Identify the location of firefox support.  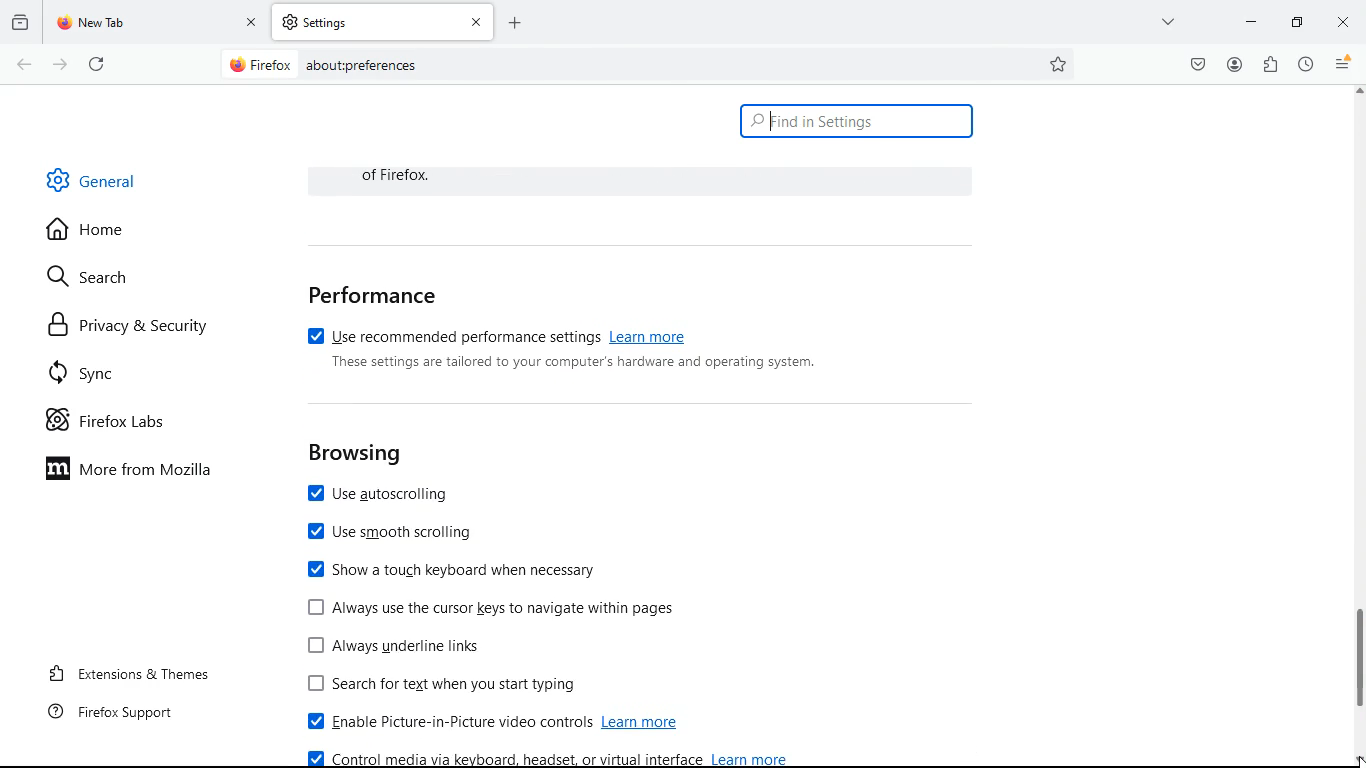
(108, 717).